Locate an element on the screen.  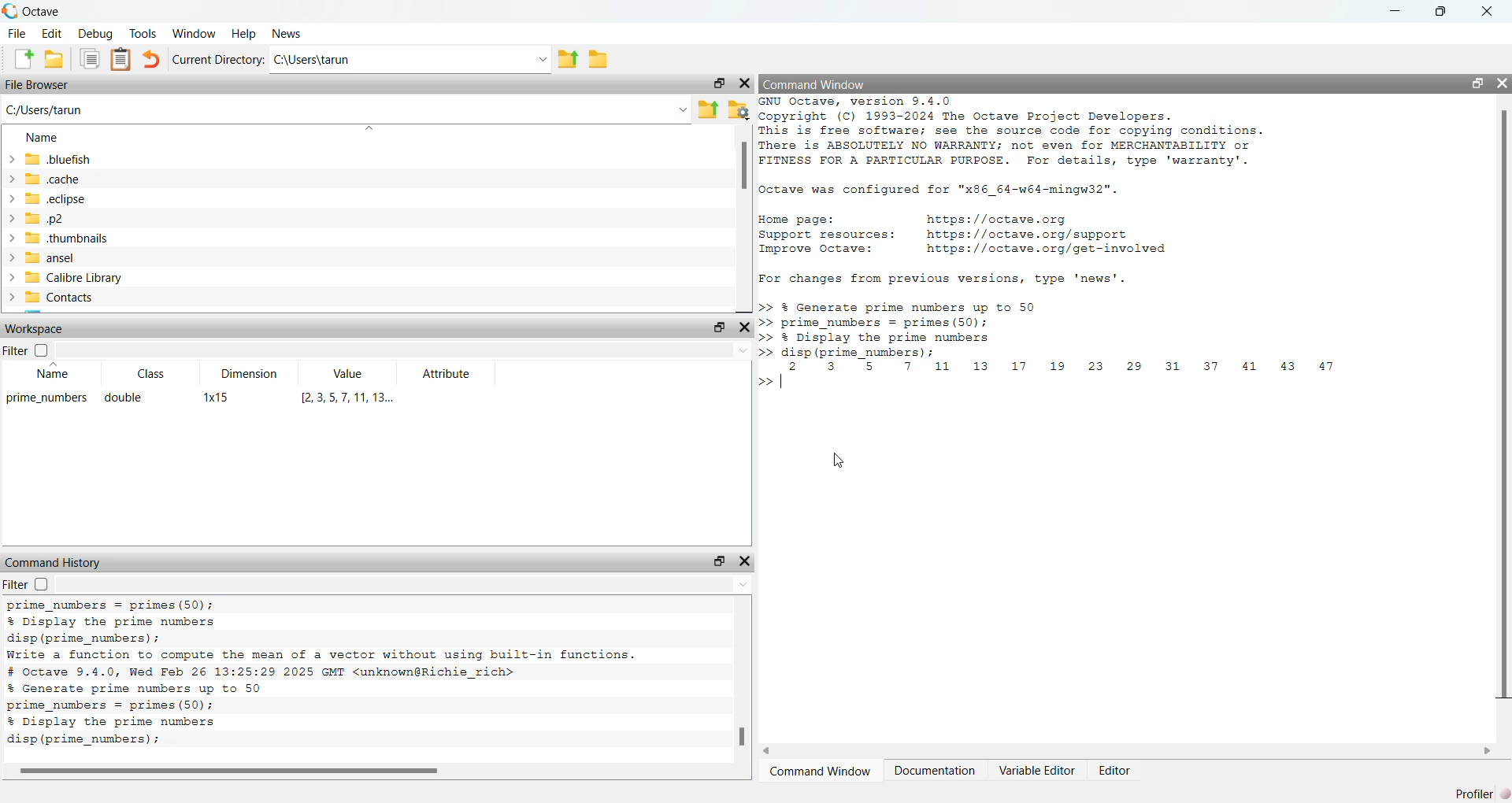
Drop-down  is located at coordinates (545, 60).